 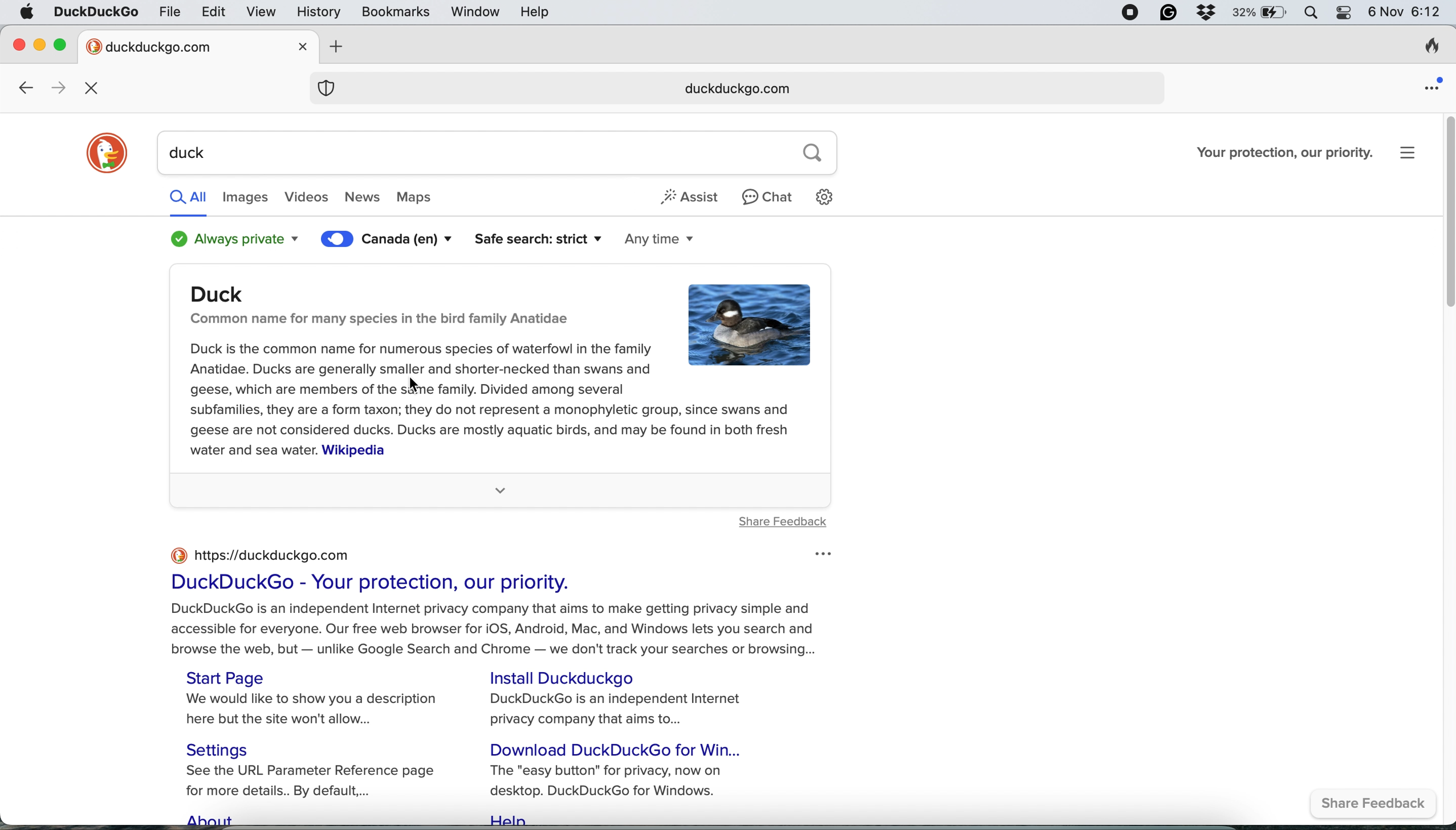 What do you see at coordinates (188, 196) in the screenshot?
I see `all` at bounding box center [188, 196].